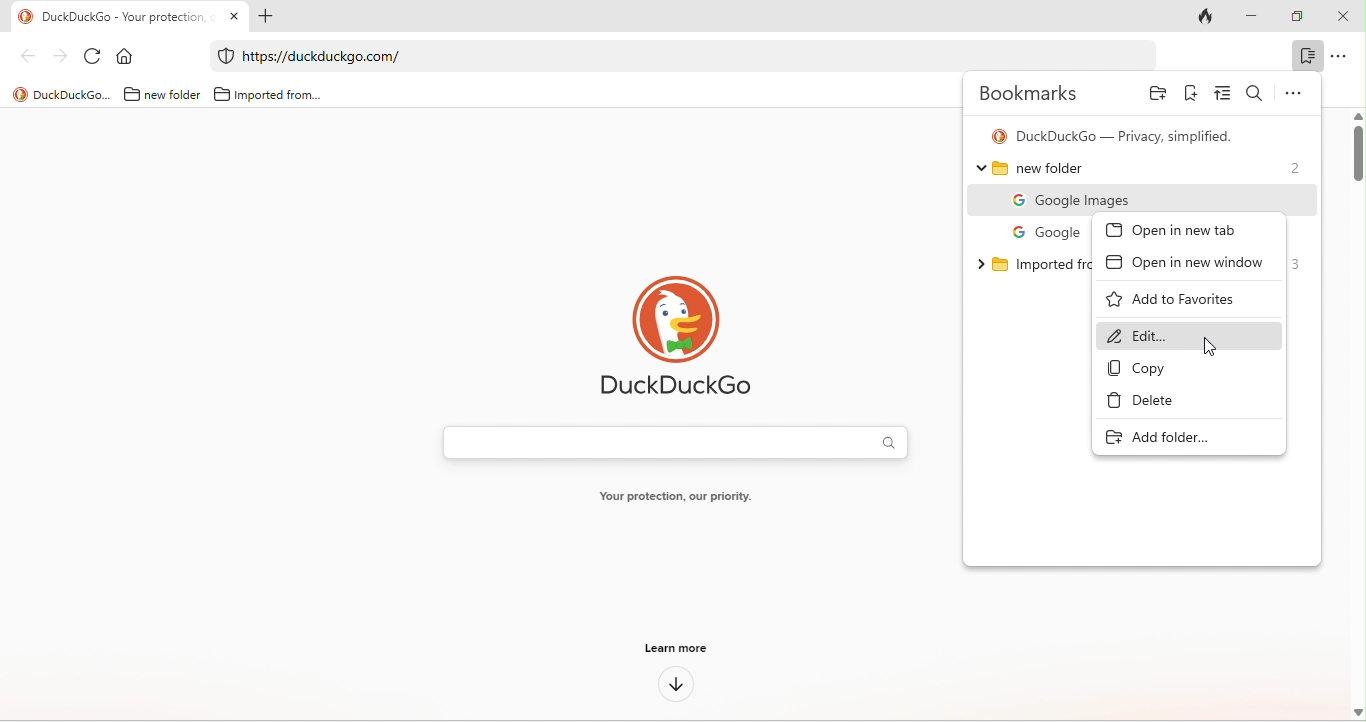 Image resolution: width=1366 pixels, height=722 pixels. What do you see at coordinates (675, 687) in the screenshot?
I see `down arrow` at bounding box center [675, 687].